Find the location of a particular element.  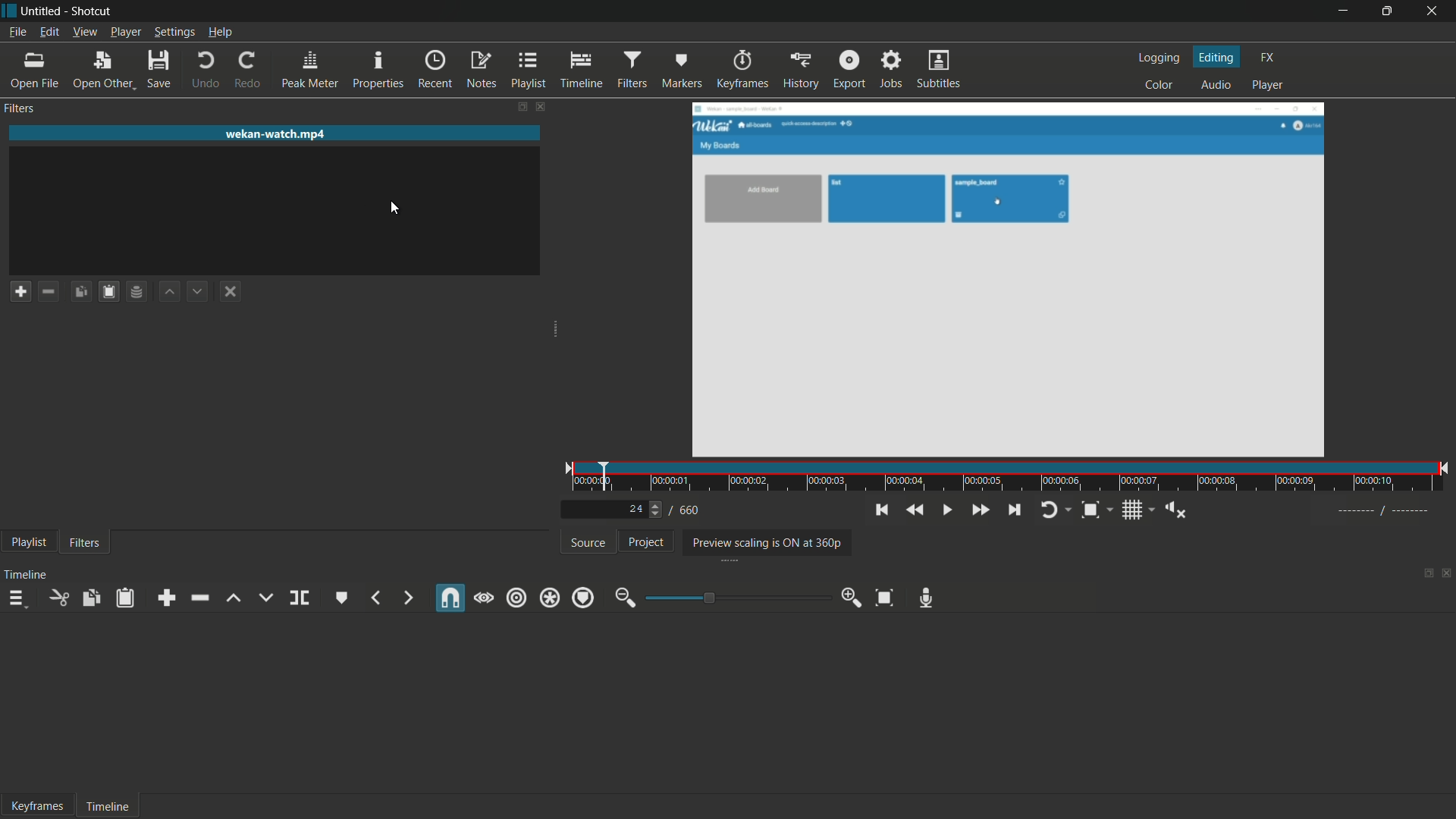

cut is located at coordinates (61, 598).